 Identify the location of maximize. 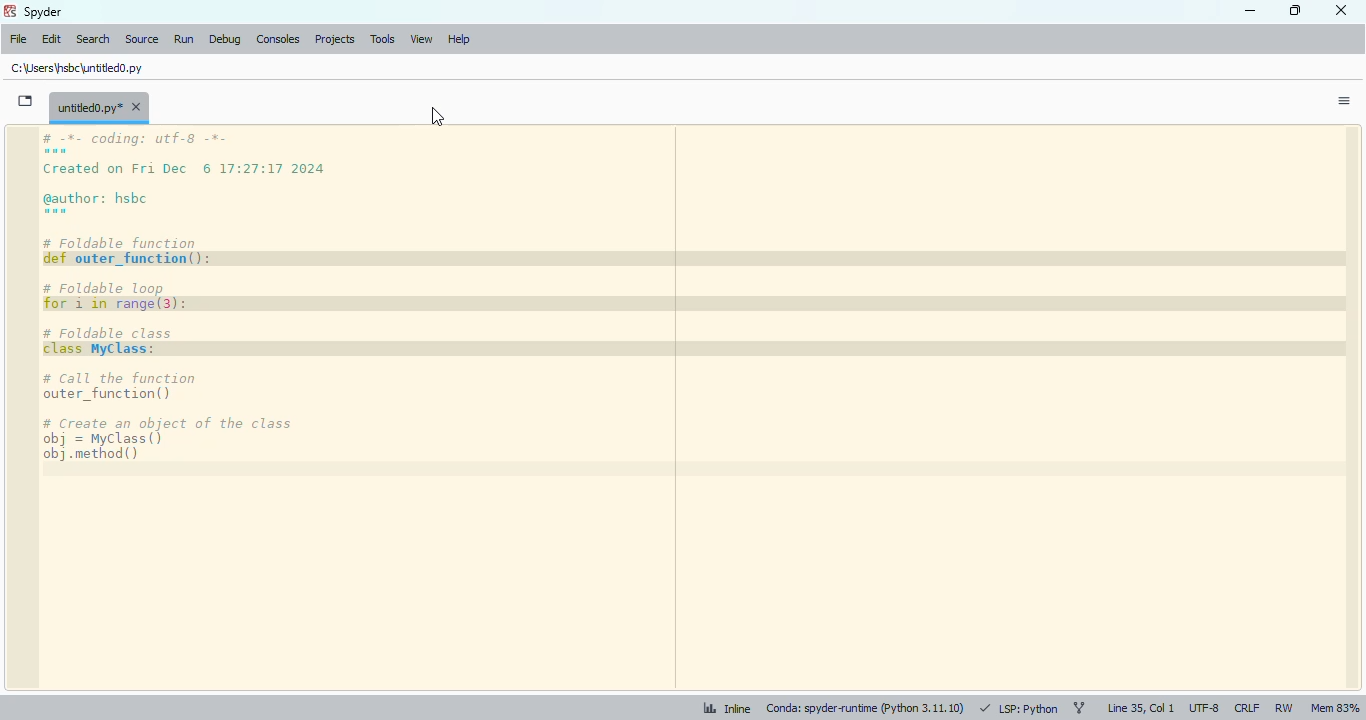
(1297, 10).